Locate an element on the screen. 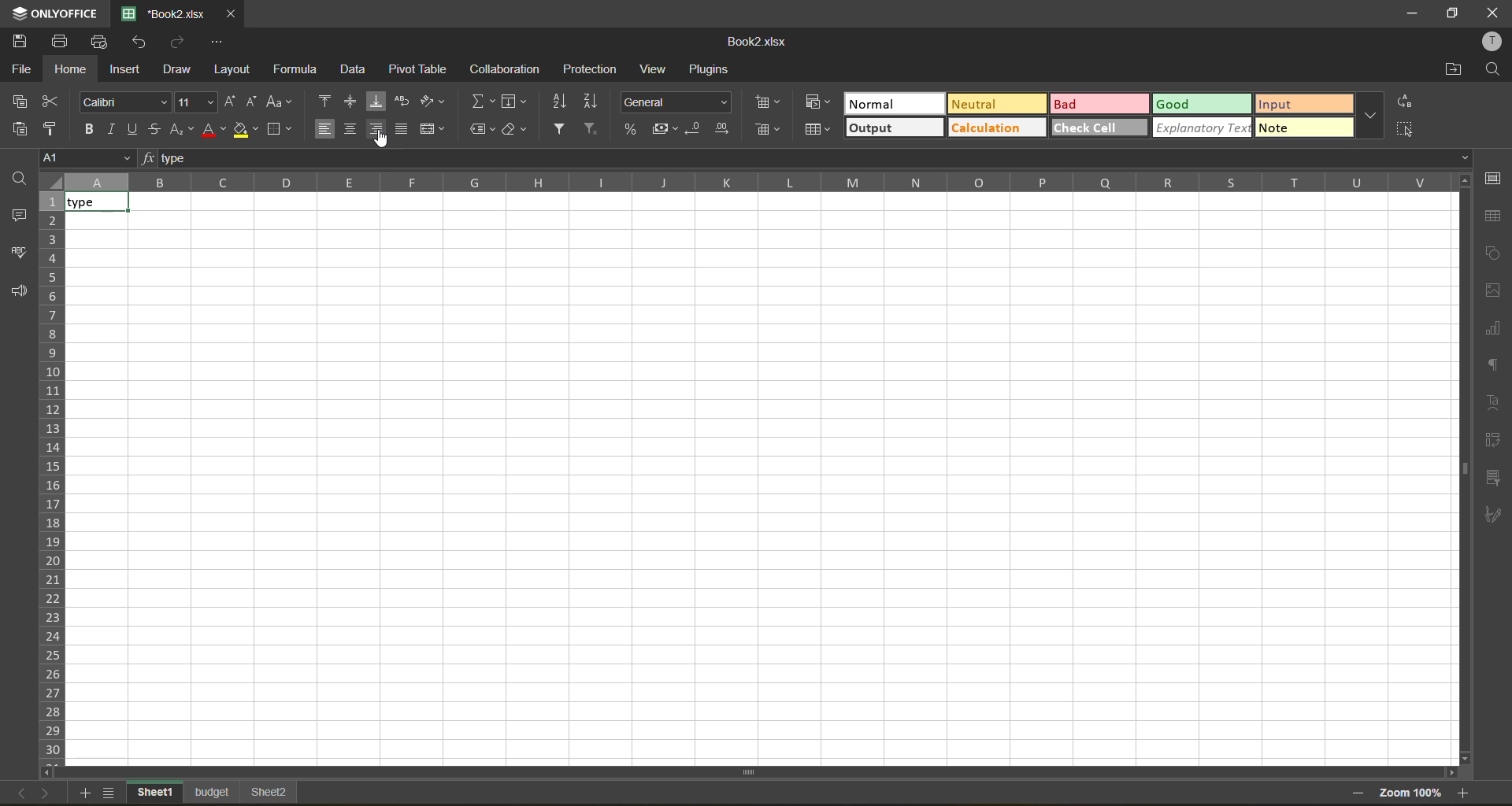 This screenshot has width=1512, height=806. spellcheck is located at coordinates (21, 254).